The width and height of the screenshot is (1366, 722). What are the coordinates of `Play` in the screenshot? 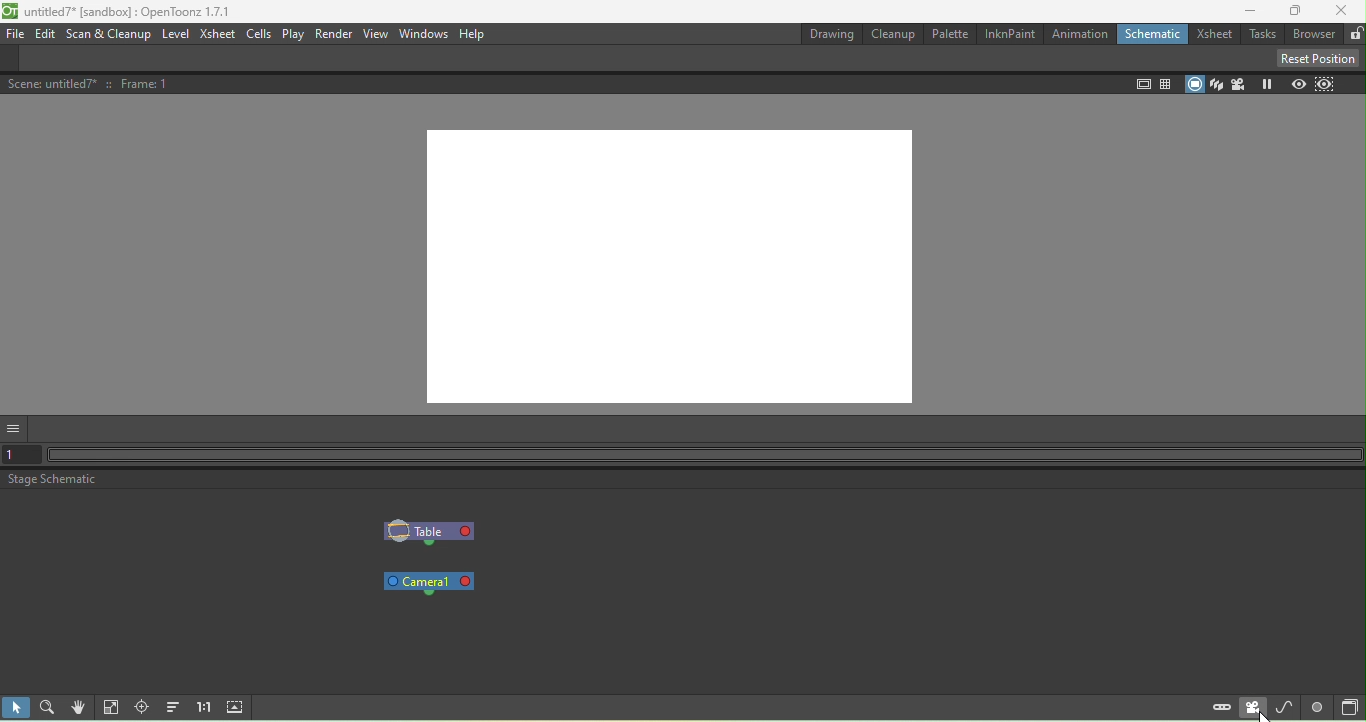 It's located at (293, 36).